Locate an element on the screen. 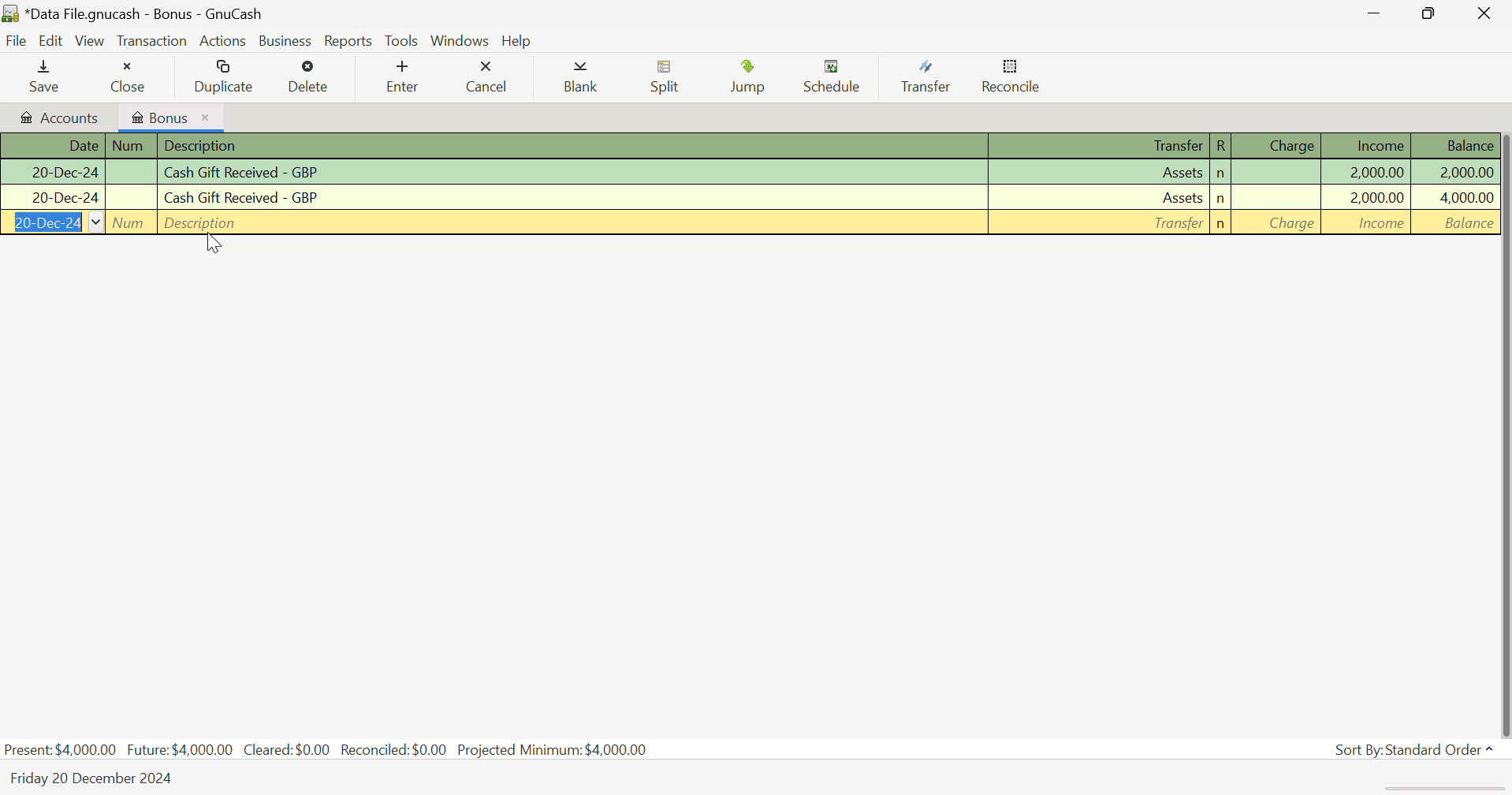 Image resolution: width=1512 pixels, height=795 pixels. Cursor Position AFTER_LAST_ACTION is located at coordinates (214, 247).